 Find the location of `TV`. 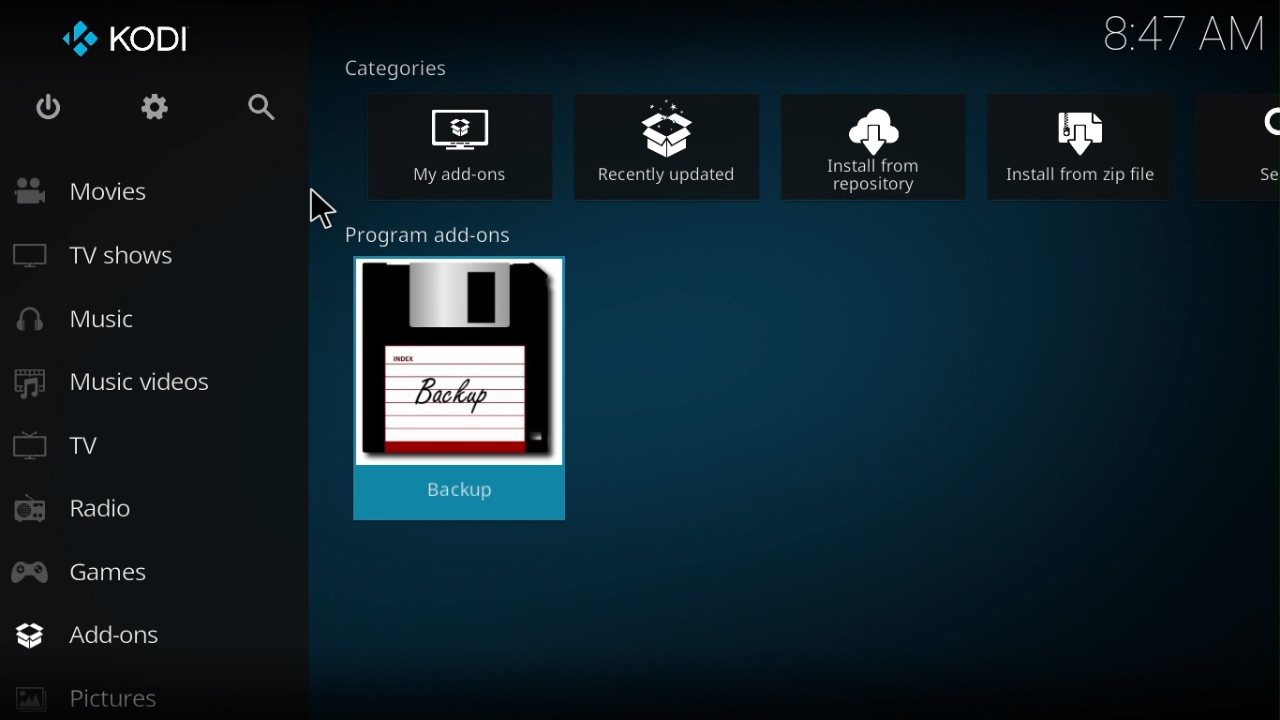

TV is located at coordinates (71, 442).